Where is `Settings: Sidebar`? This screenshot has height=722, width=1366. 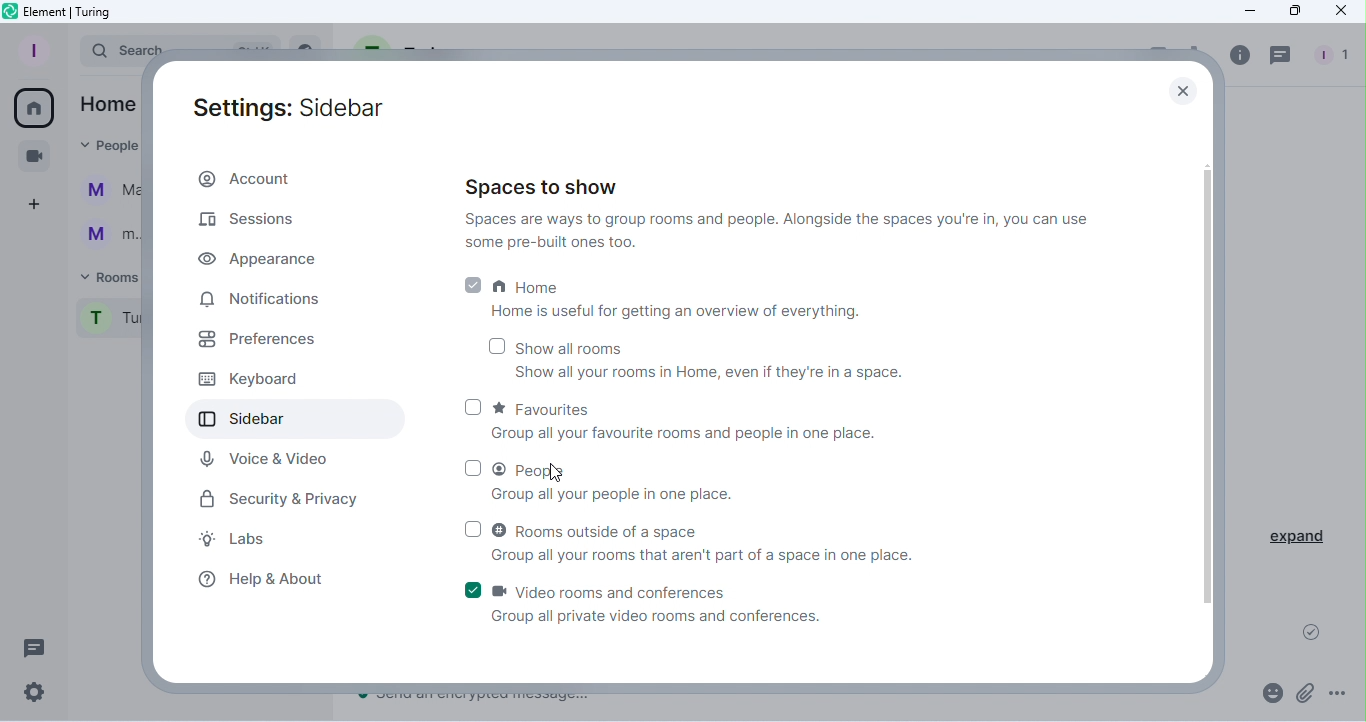 Settings: Sidebar is located at coordinates (300, 102).